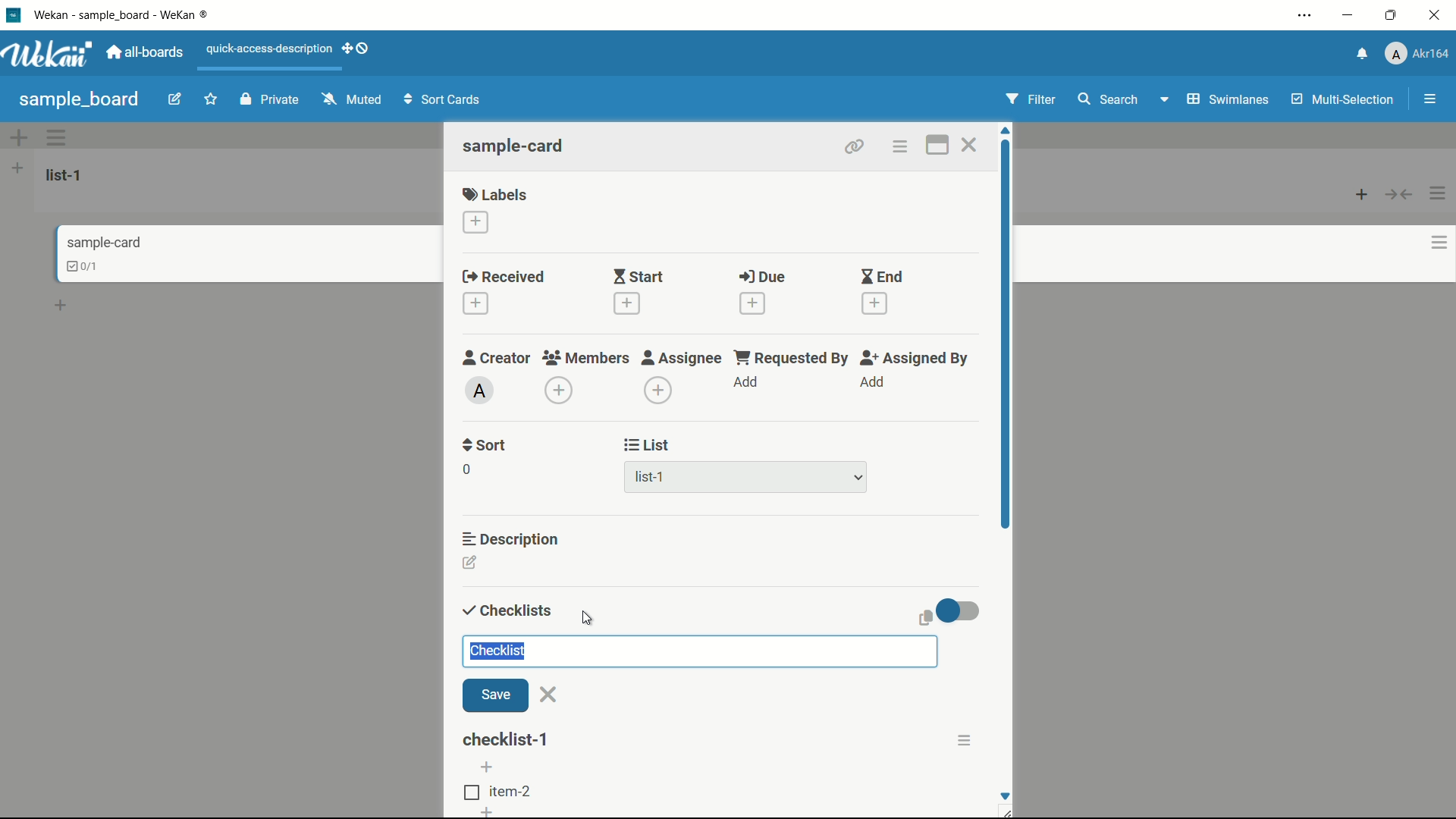 The width and height of the screenshot is (1456, 819). Describe the element at coordinates (1439, 193) in the screenshot. I see `list actions` at that location.